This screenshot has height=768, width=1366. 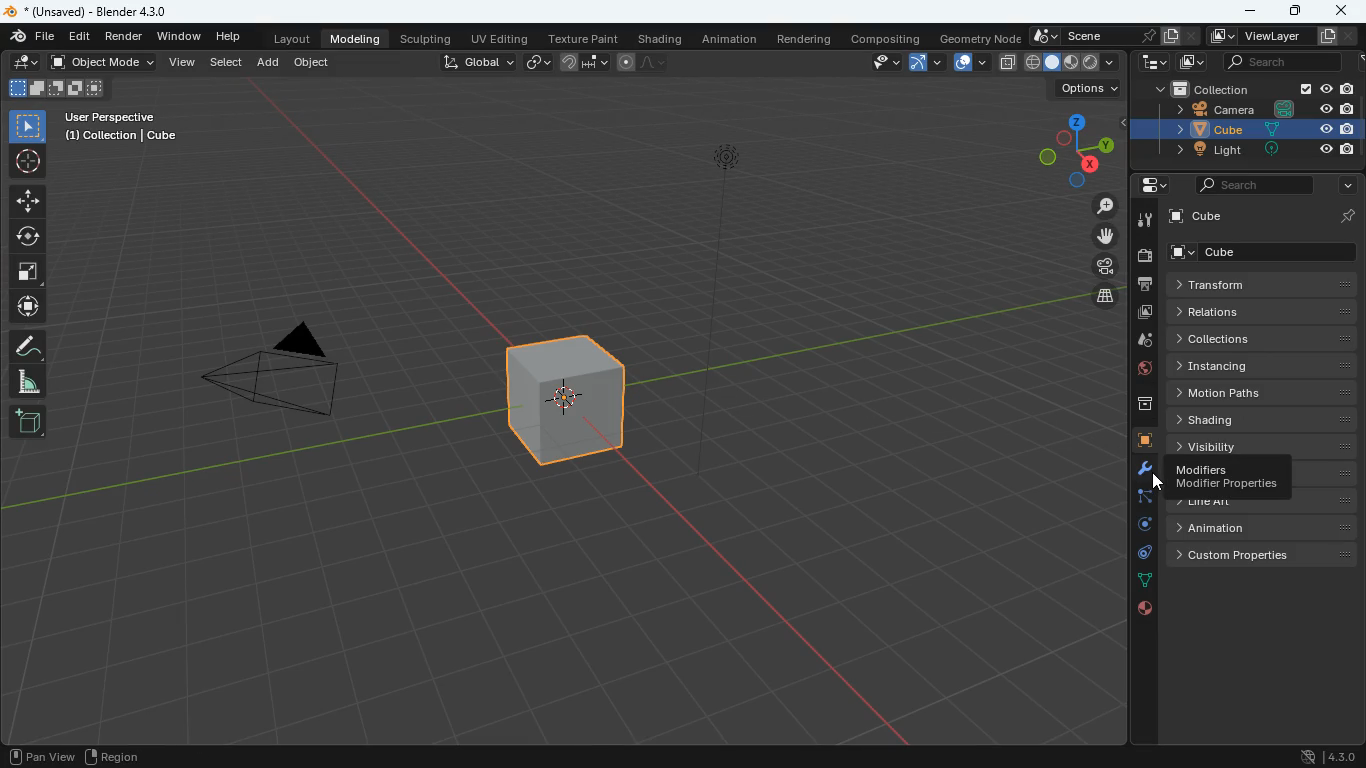 What do you see at coordinates (1155, 63) in the screenshot?
I see `tech` at bounding box center [1155, 63].